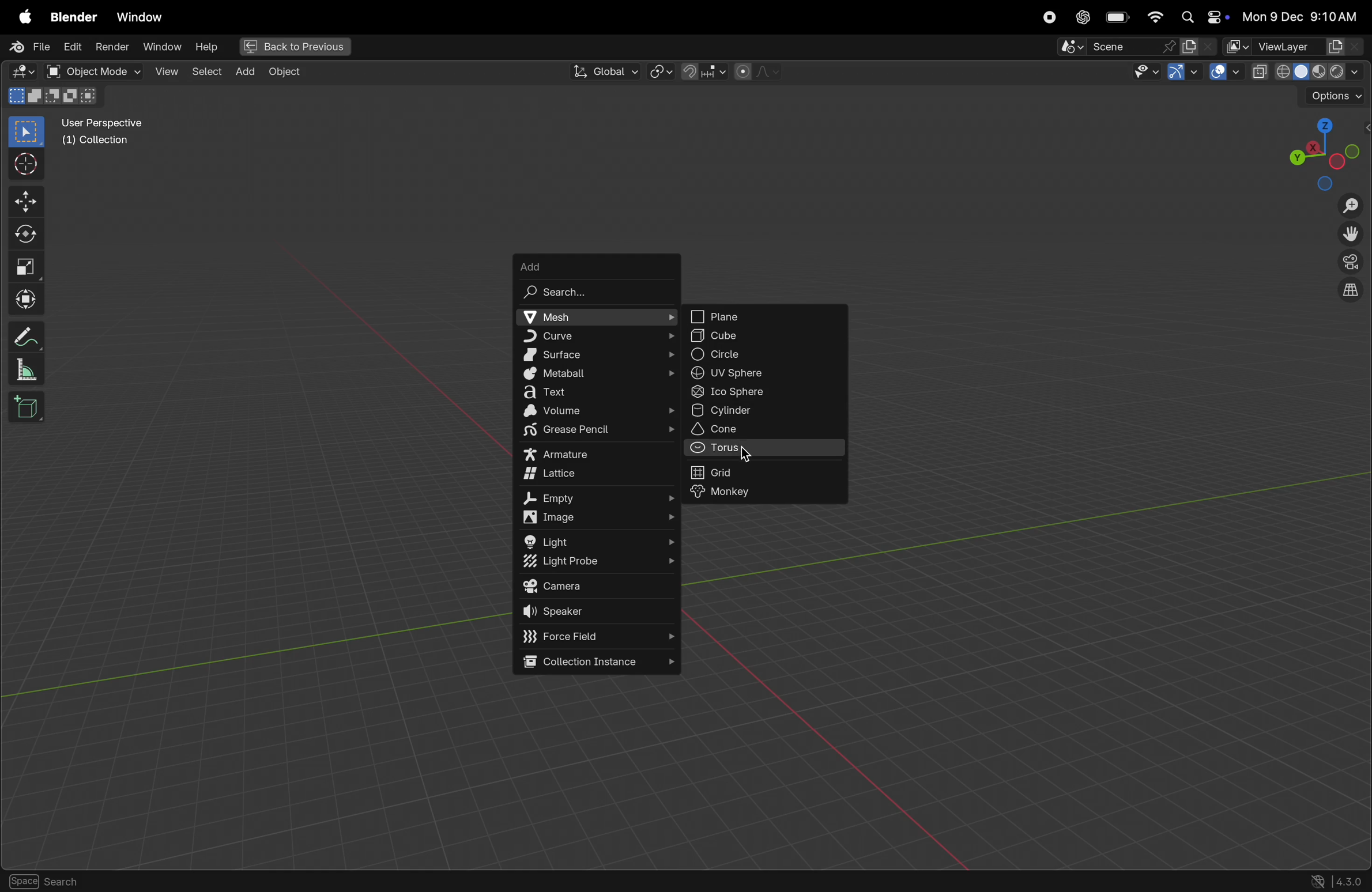 This screenshot has width=1372, height=892. What do you see at coordinates (285, 72) in the screenshot?
I see `object` at bounding box center [285, 72].